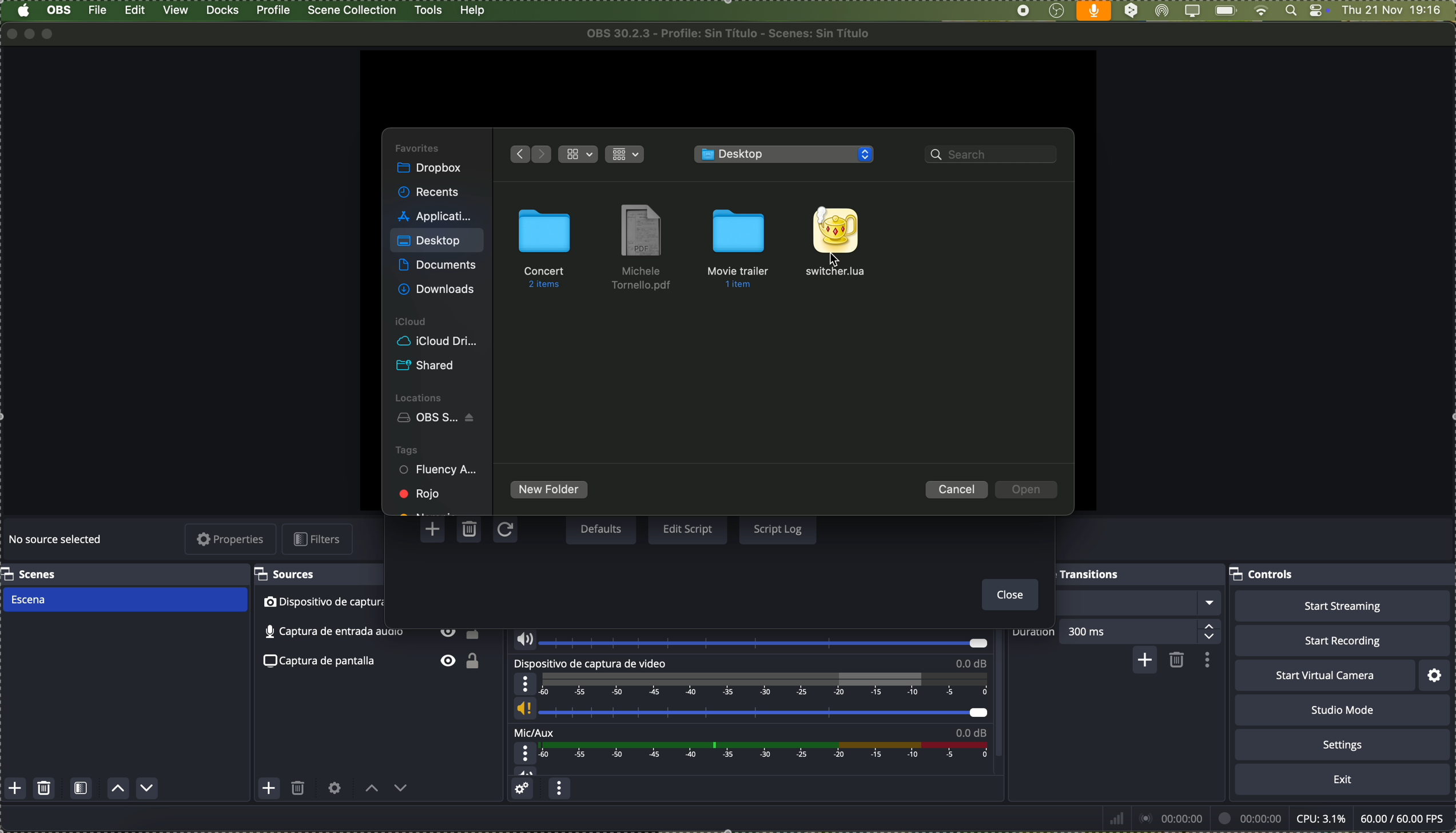 This screenshot has width=1456, height=833. What do you see at coordinates (430, 193) in the screenshot?
I see `recents` at bounding box center [430, 193].